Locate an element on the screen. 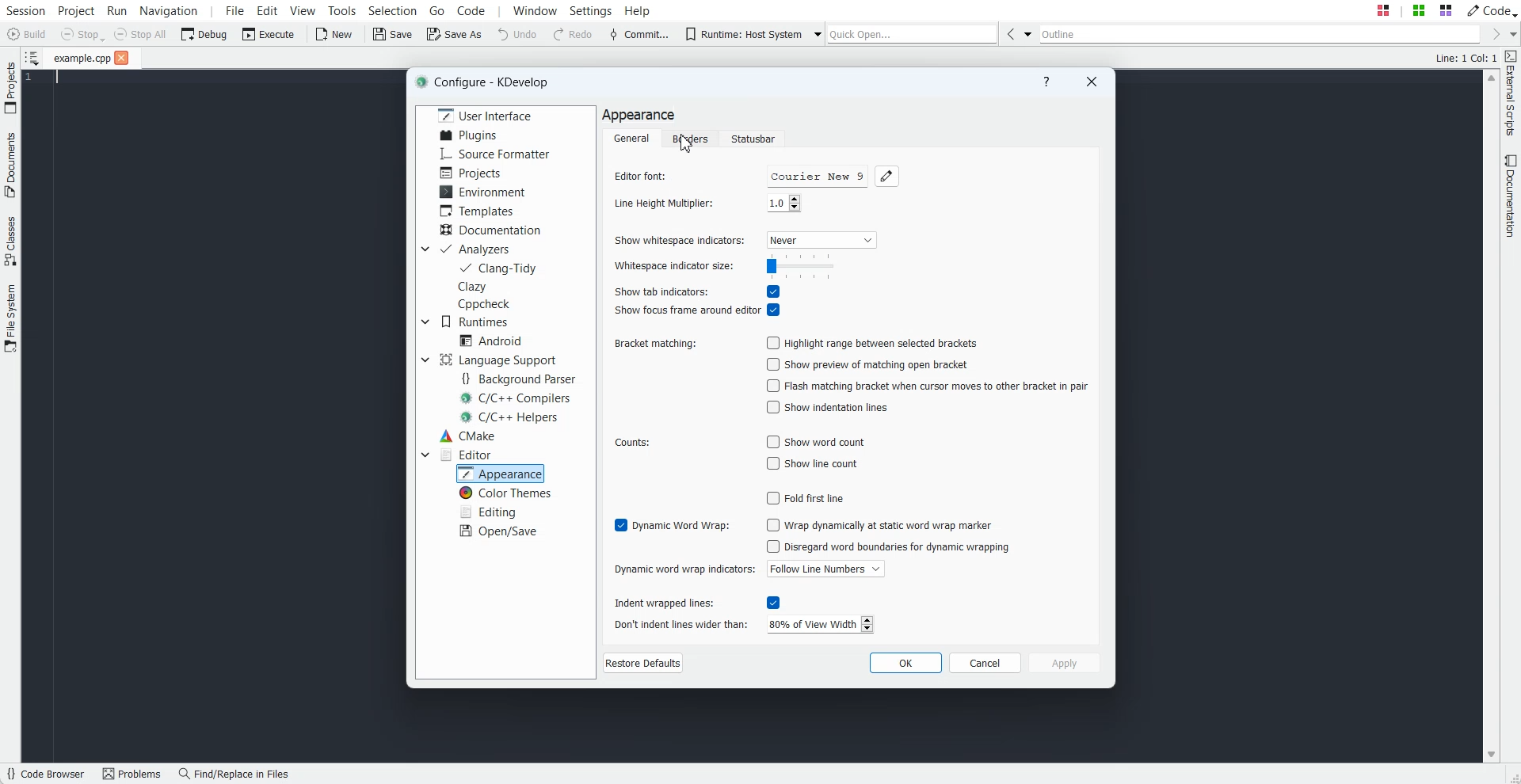 The image size is (1521, 784). Close is located at coordinates (1089, 82).